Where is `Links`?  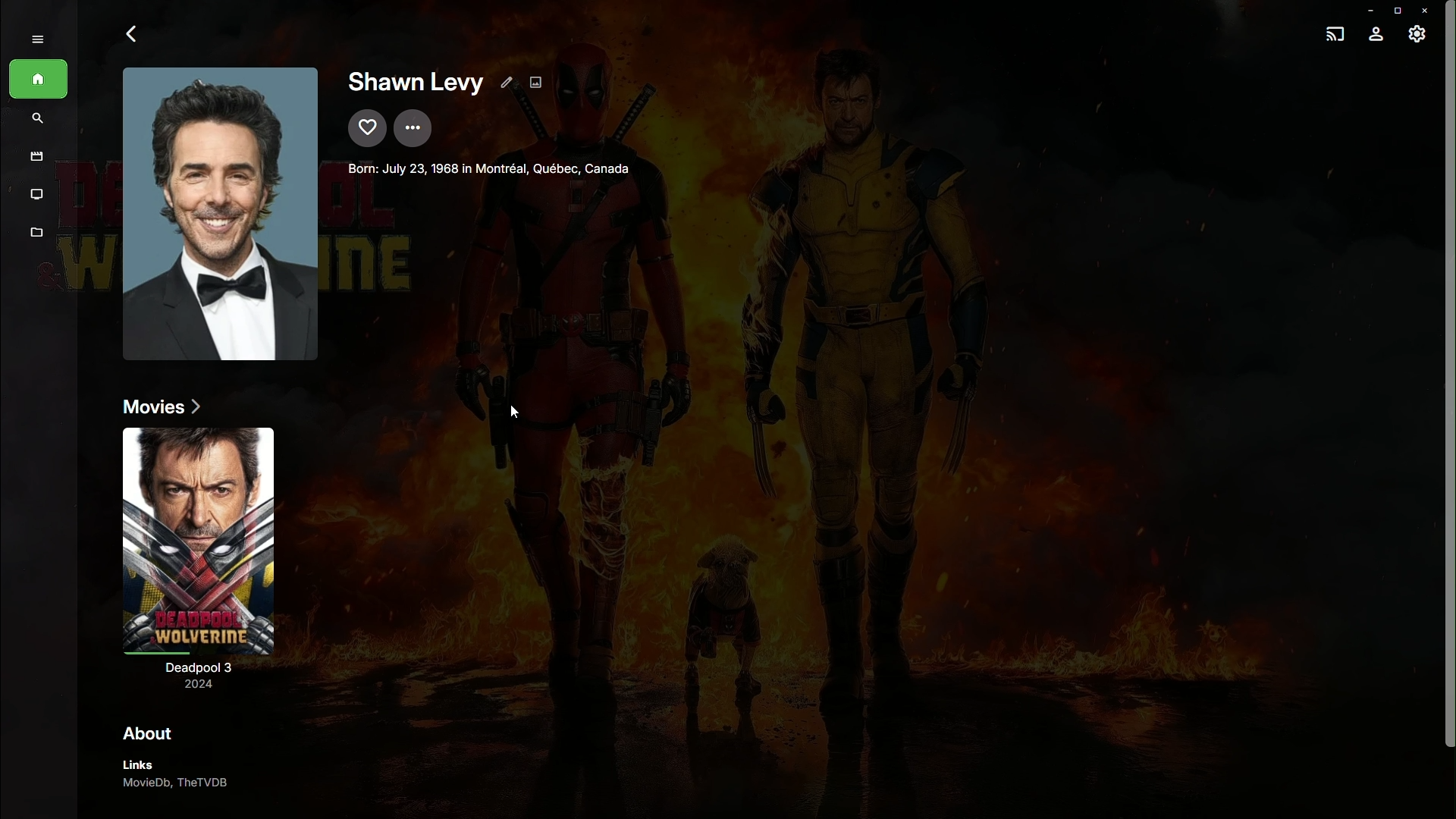 Links is located at coordinates (132, 766).